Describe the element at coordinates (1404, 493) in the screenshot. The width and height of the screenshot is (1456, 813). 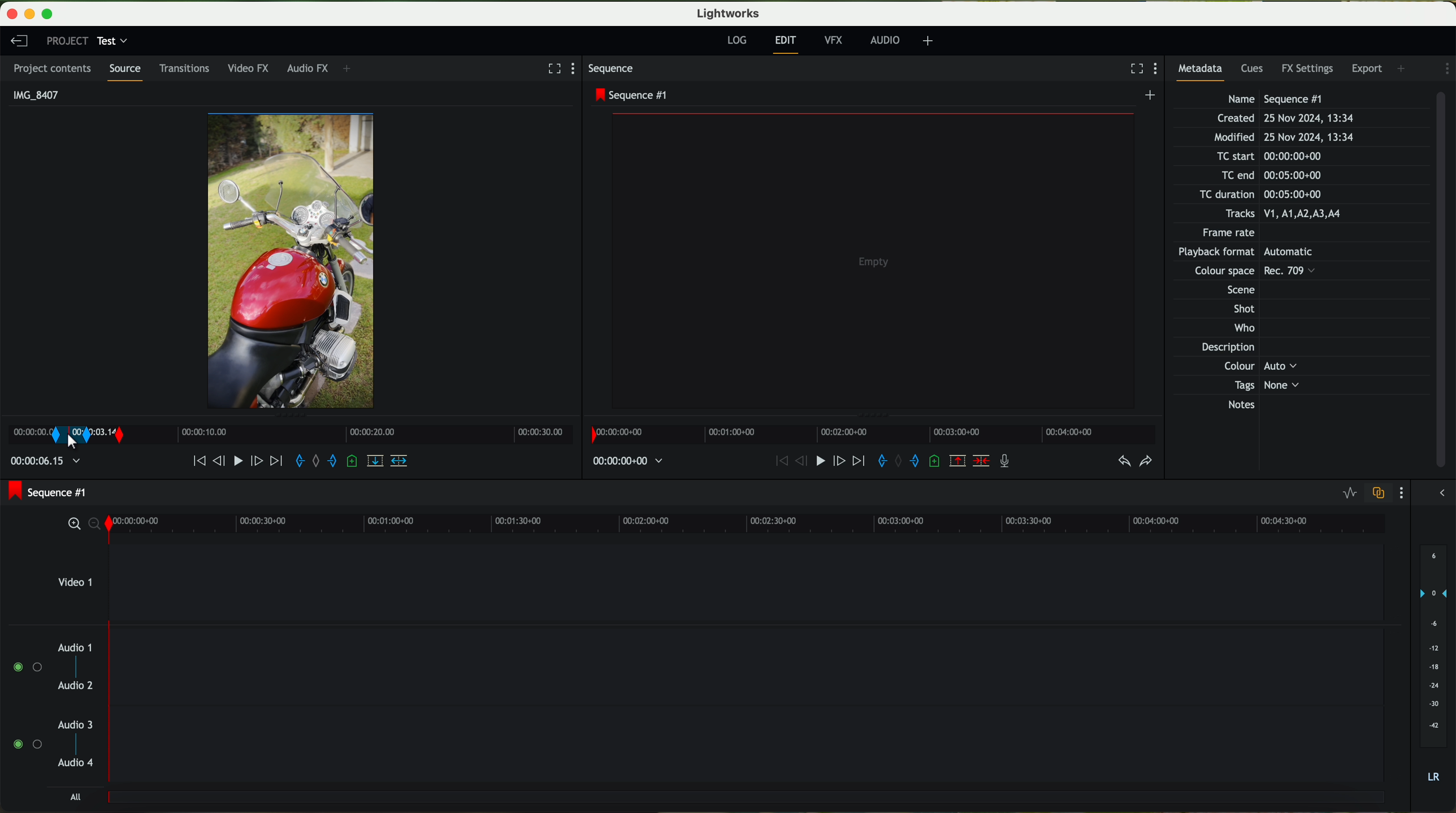
I see `show settings menu` at that location.